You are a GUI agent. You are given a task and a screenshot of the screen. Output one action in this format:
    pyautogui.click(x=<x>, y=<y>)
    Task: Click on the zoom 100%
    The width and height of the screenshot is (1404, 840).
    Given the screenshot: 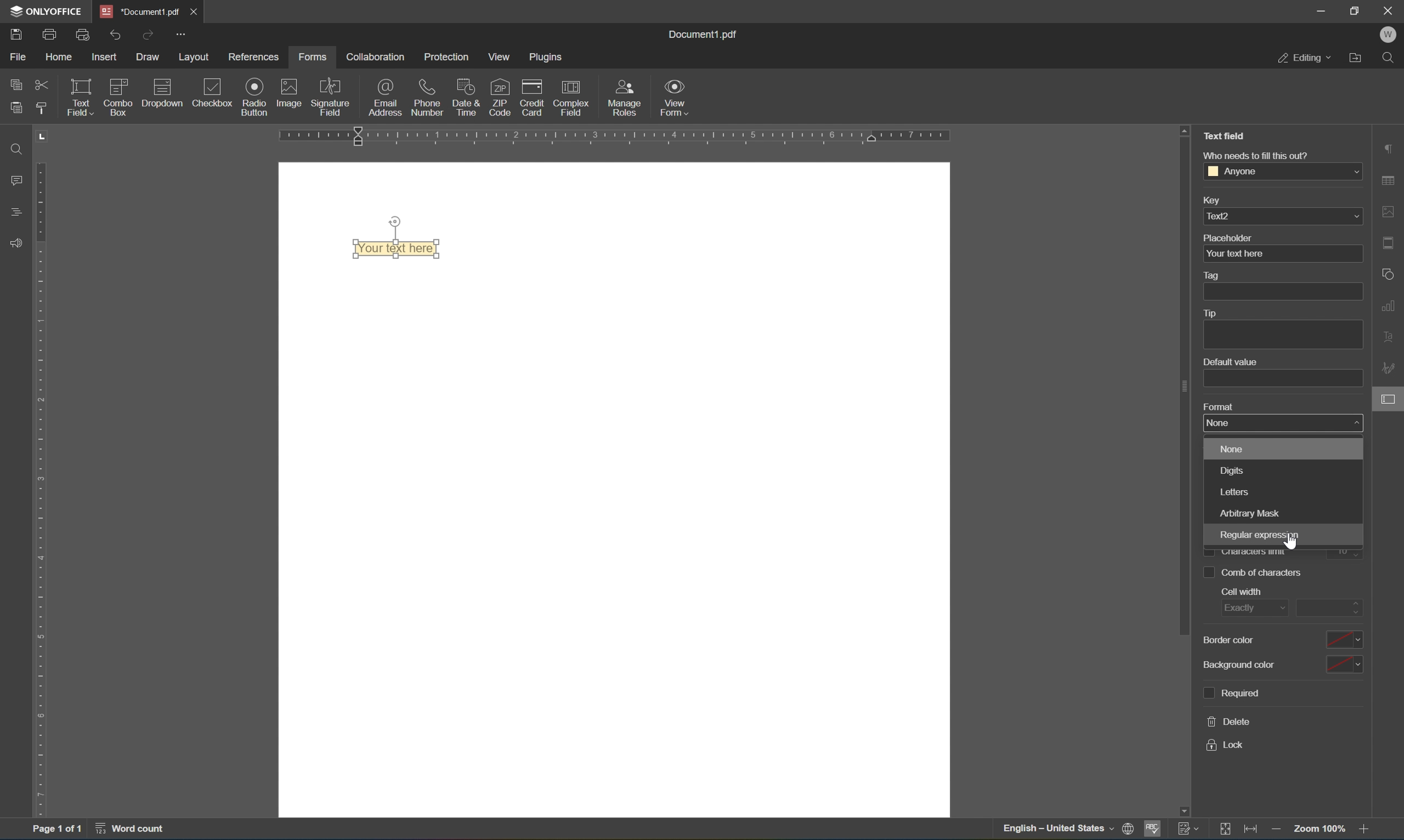 What is the action you would take?
    pyautogui.click(x=1318, y=828)
    